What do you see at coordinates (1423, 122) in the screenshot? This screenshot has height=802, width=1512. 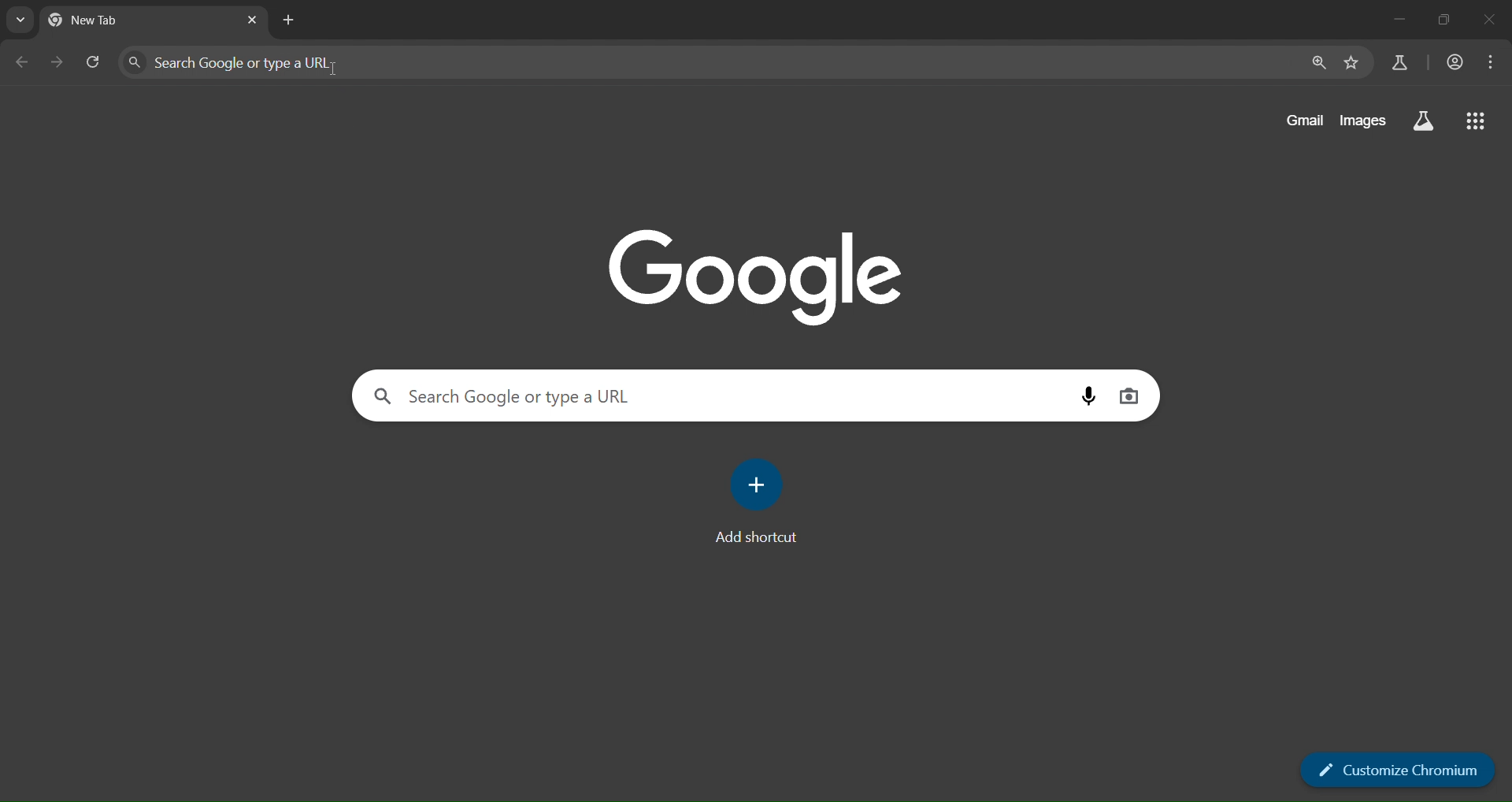 I see `search labs` at bounding box center [1423, 122].